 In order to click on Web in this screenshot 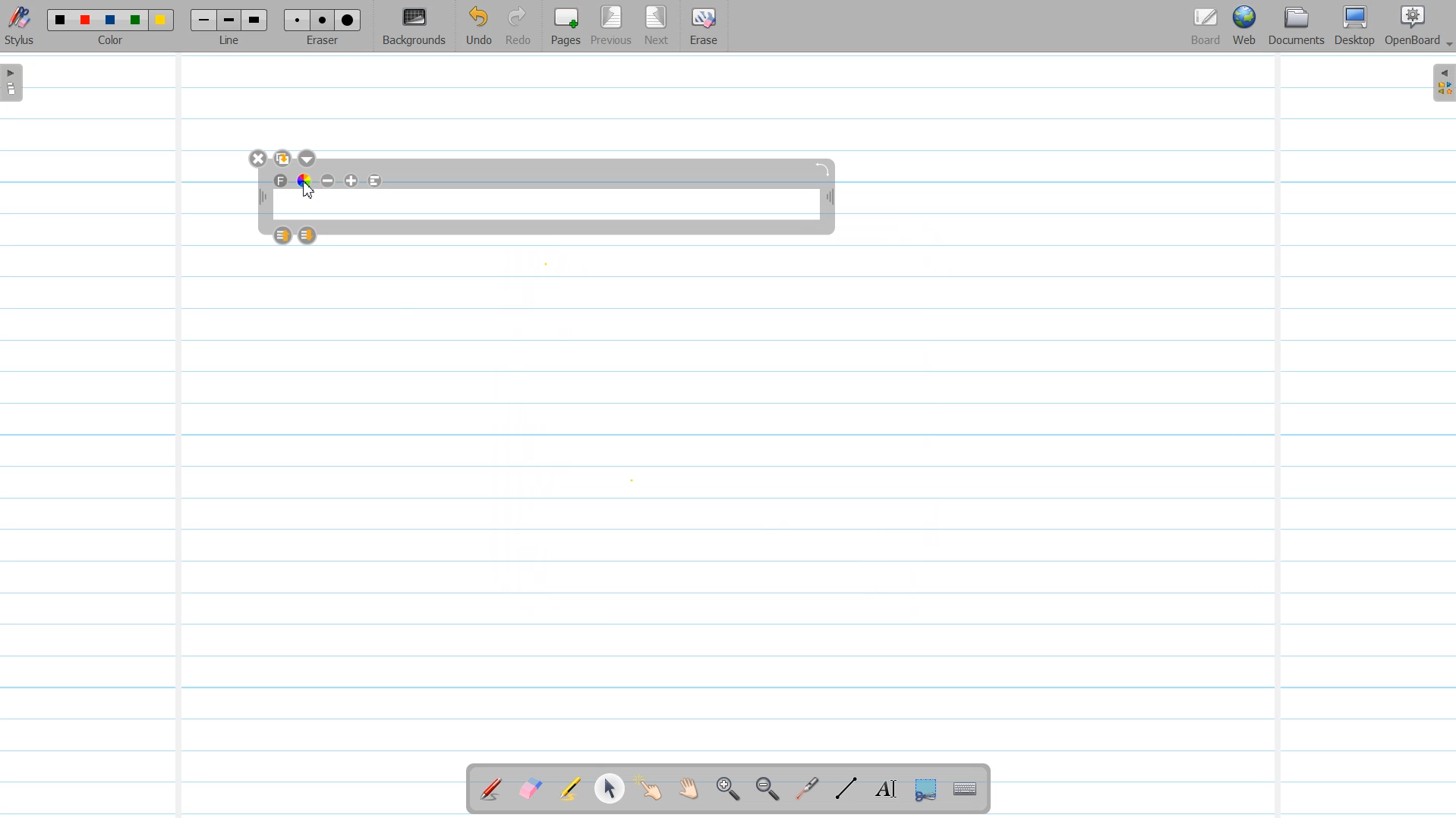, I will do `click(1246, 27)`.